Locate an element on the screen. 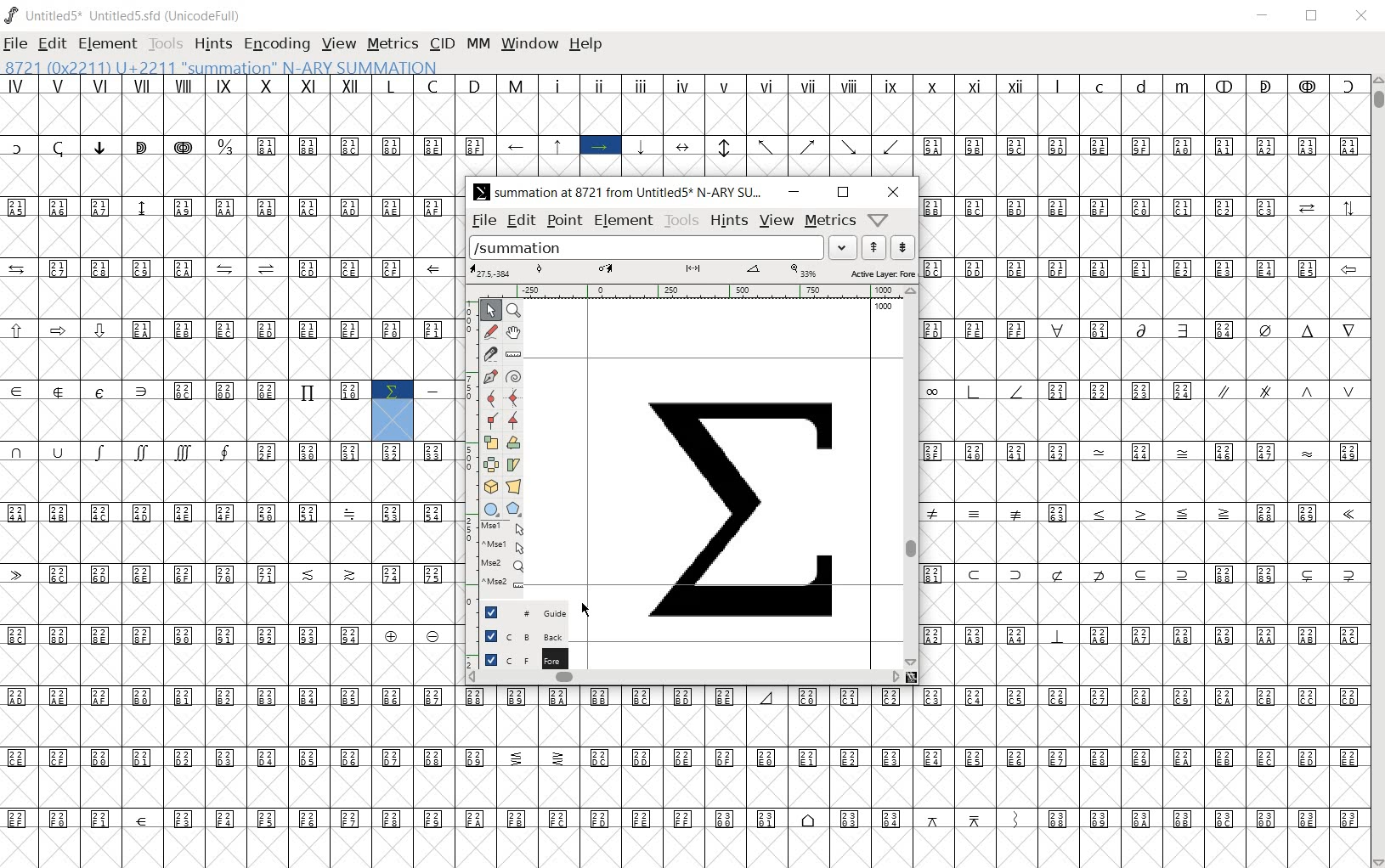  HINTS is located at coordinates (212, 44).